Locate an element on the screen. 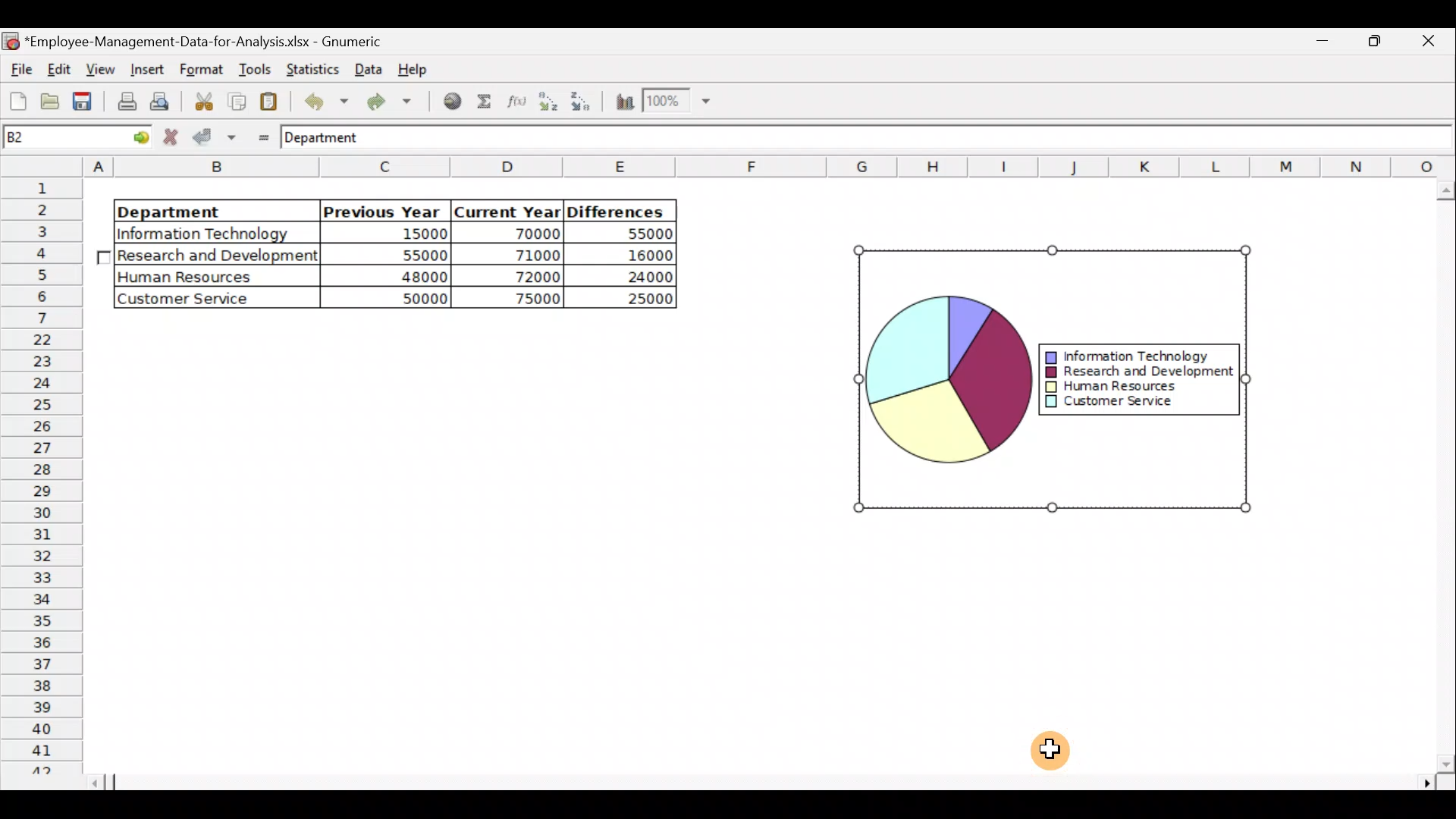 The height and width of the screenshot is (819, 1456). Research and Development is located at coordinates (218, 257).